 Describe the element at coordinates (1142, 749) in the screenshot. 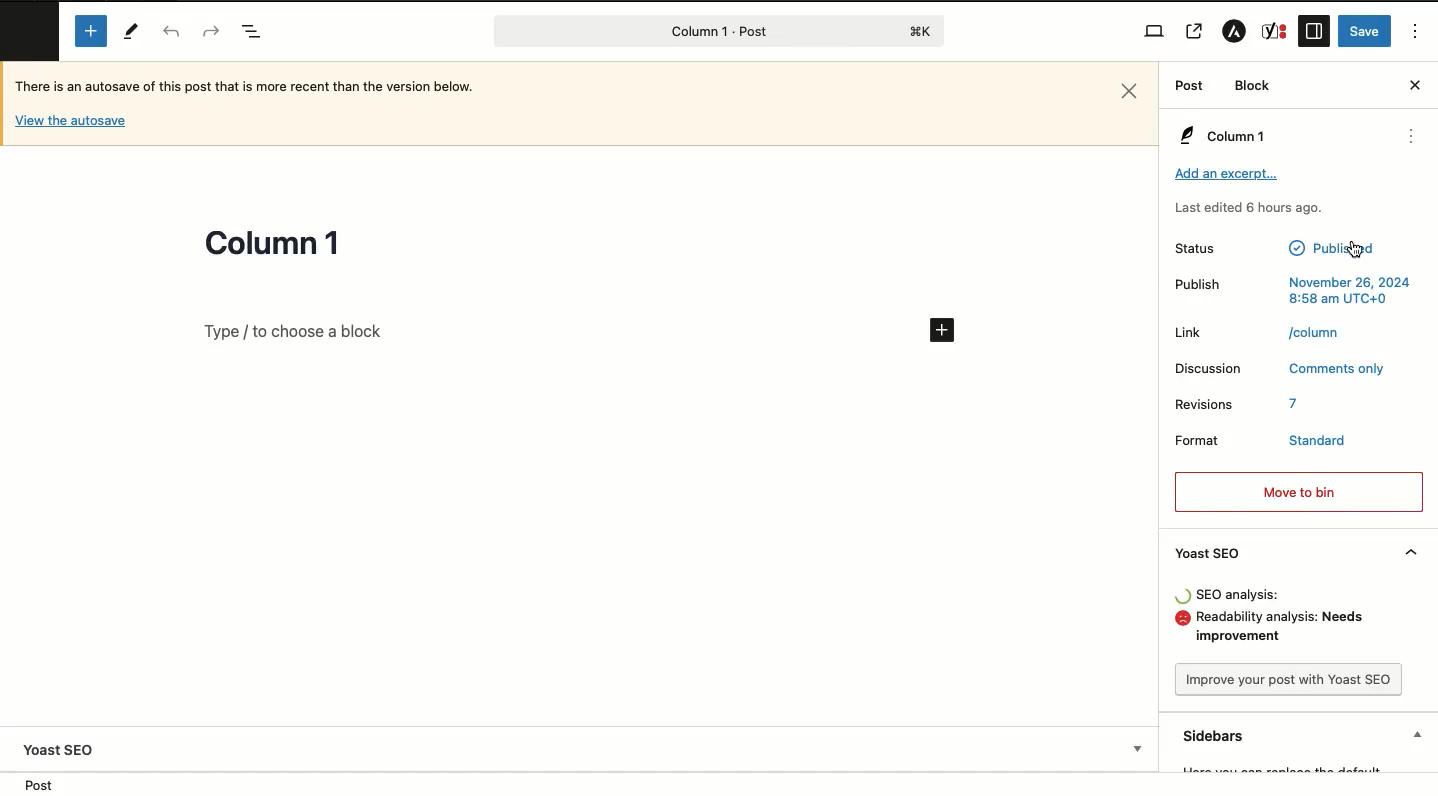

I see `Drop-down ` at that location.